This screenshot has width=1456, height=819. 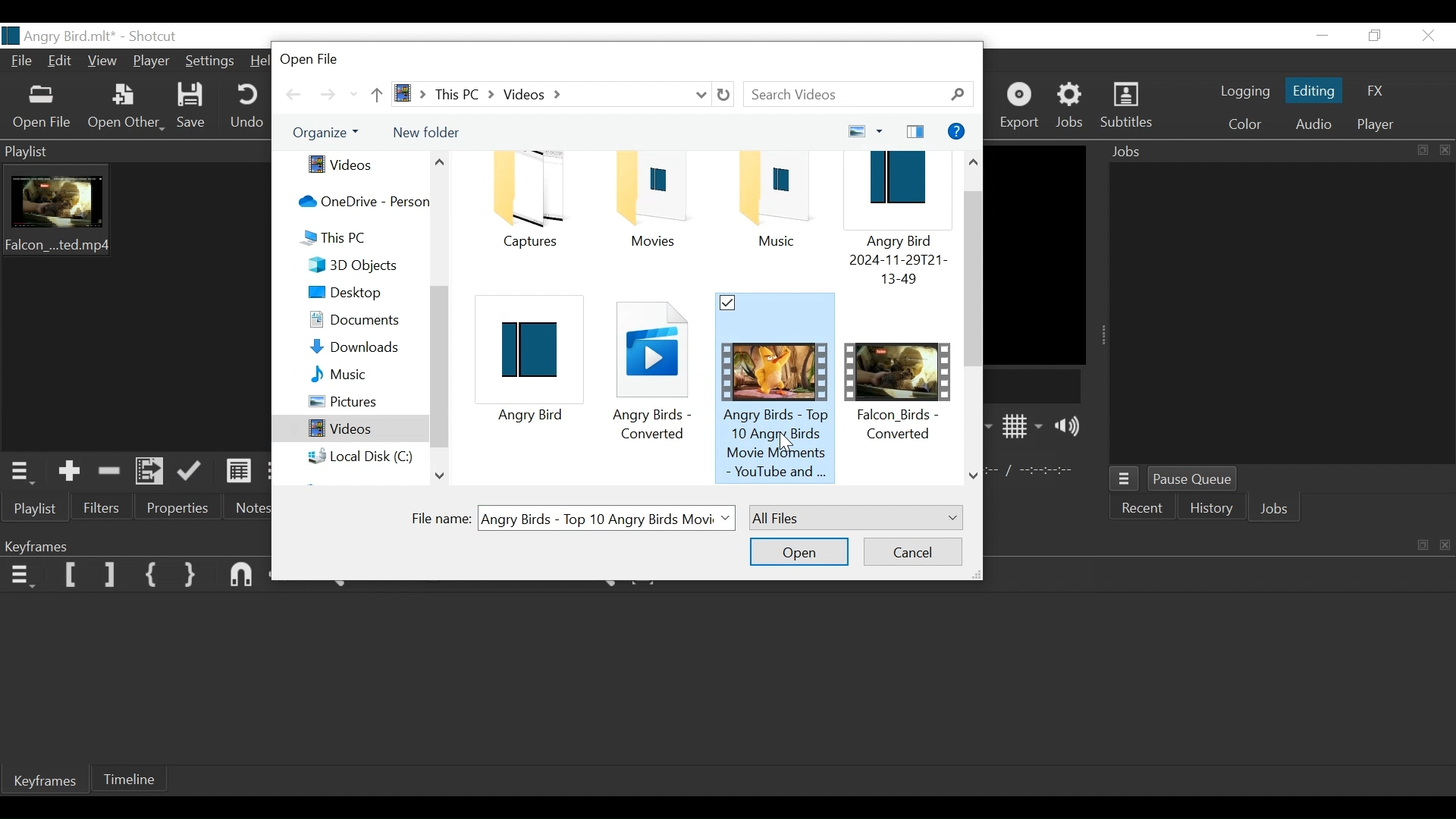 I want to click on Project Folder, so click(x=653, y=226).